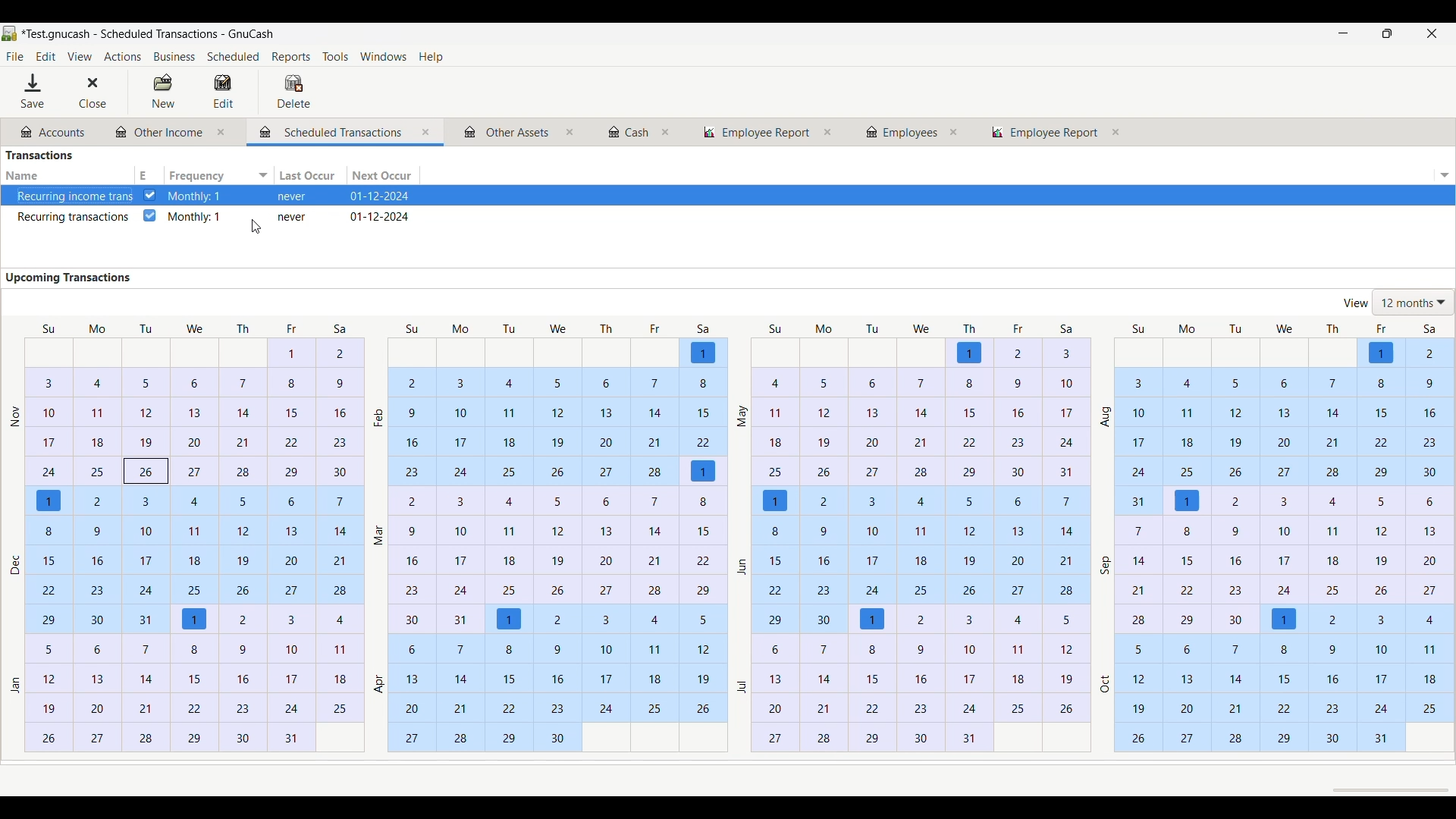  Describe the element at coordinates (1444, 175) in the screenshot. I see `Show/Hide column` at that location.